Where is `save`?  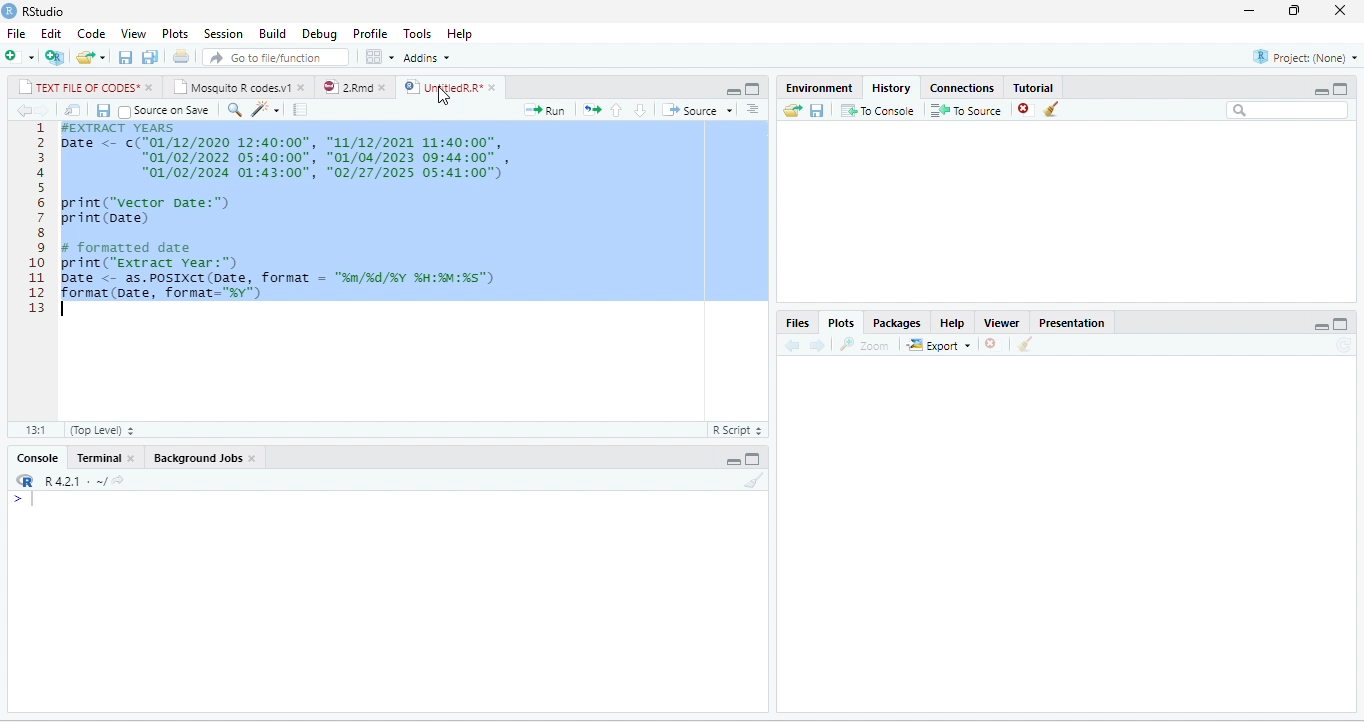 save is located at coordinates (817, 110).